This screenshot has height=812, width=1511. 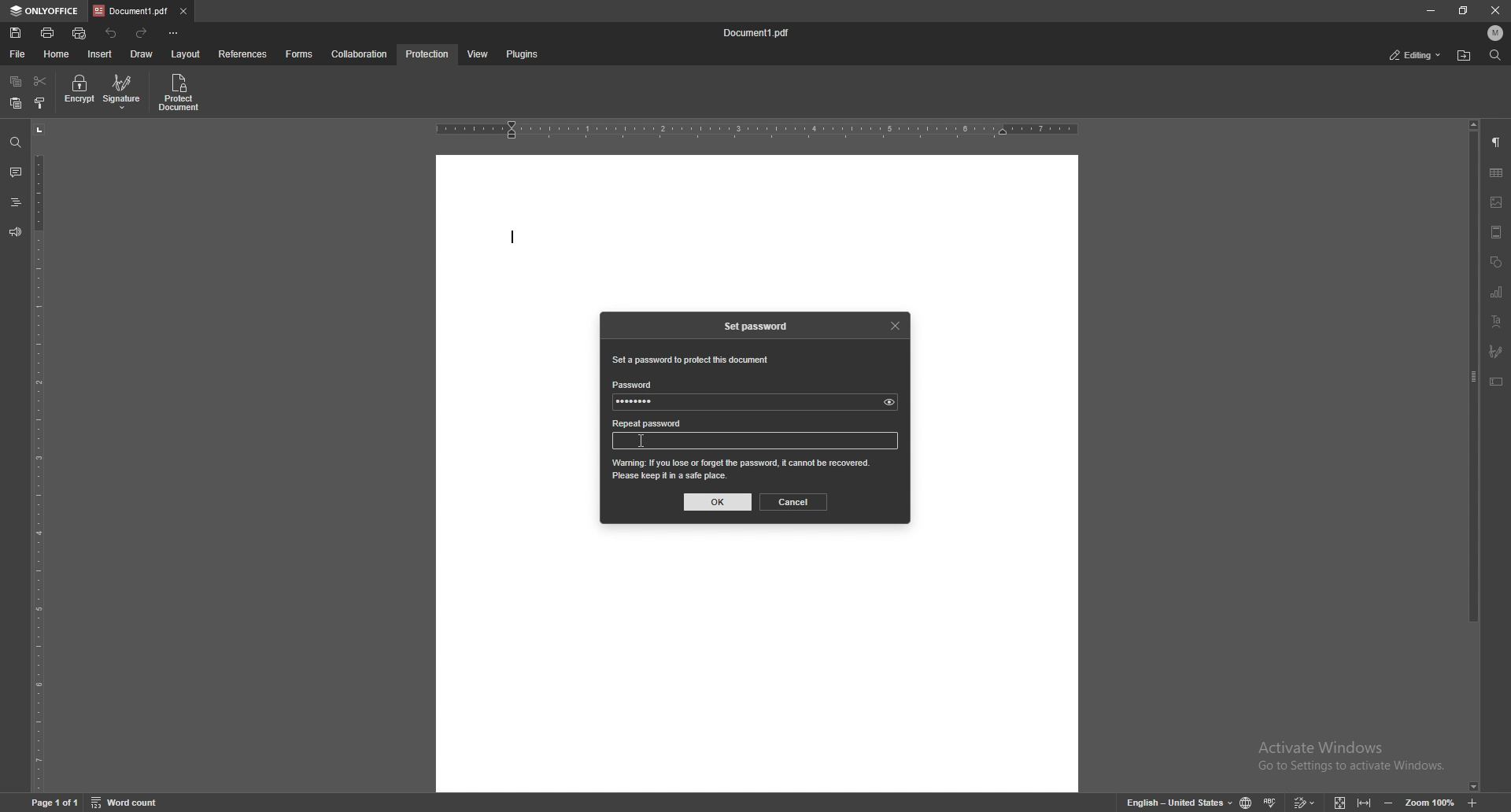 What do you see at coordinates (48, 33) in the screenshot?
I see `print` at bounding box center [48, 33].